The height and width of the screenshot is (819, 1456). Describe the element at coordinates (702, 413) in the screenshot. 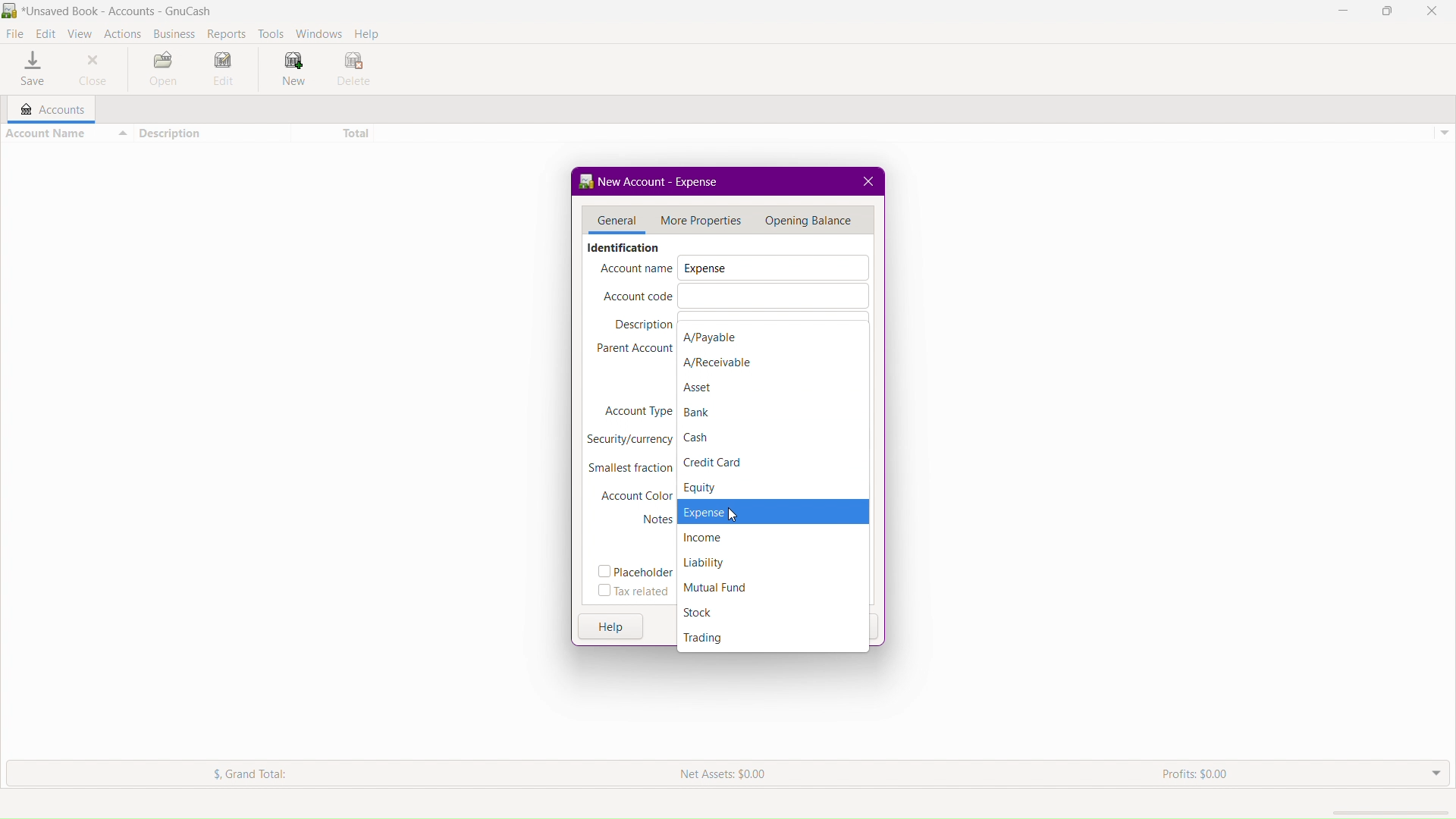

I see `Bank` at that location.